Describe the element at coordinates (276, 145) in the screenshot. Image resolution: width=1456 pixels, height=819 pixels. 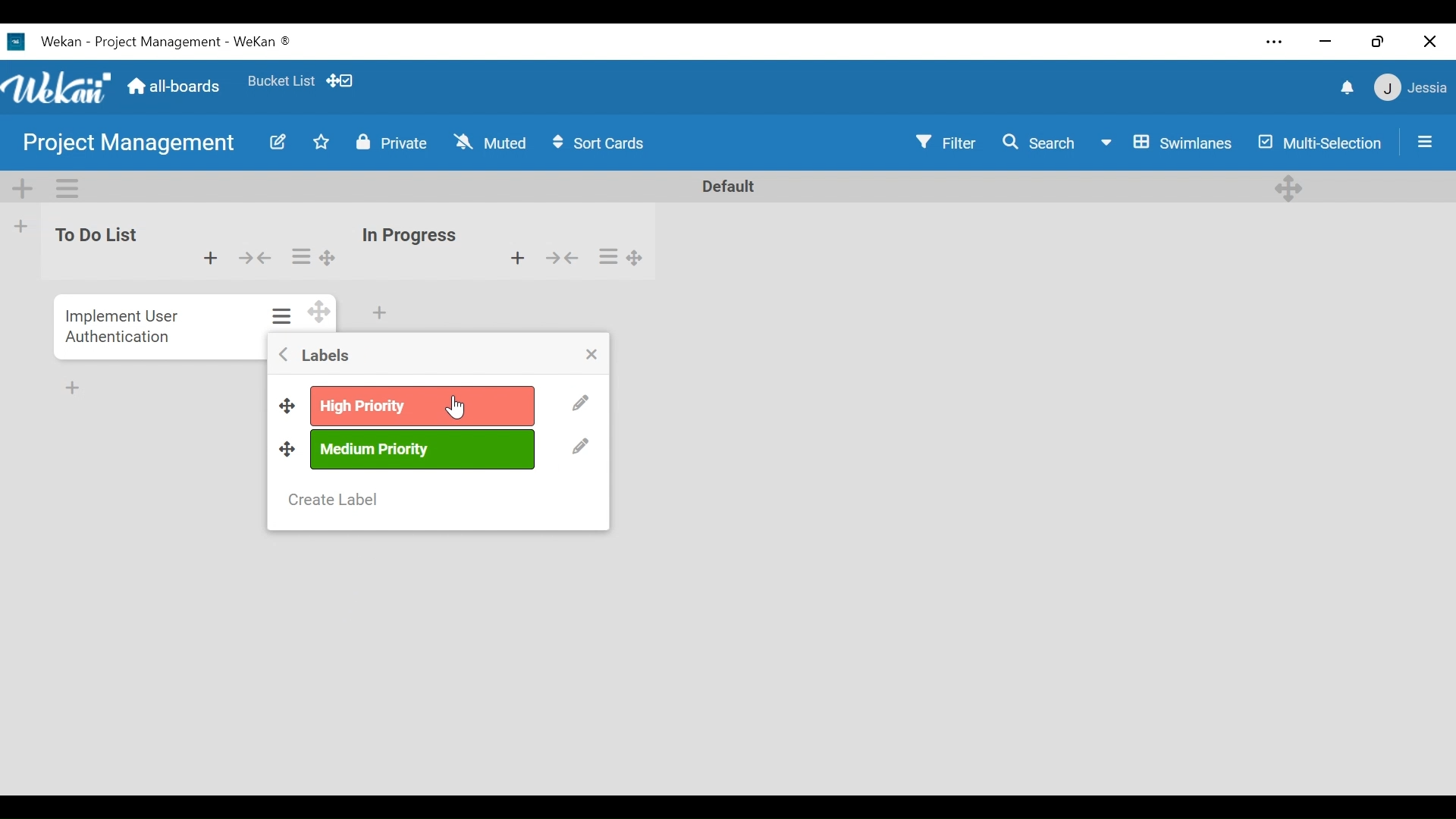
I see `edit` at that location.